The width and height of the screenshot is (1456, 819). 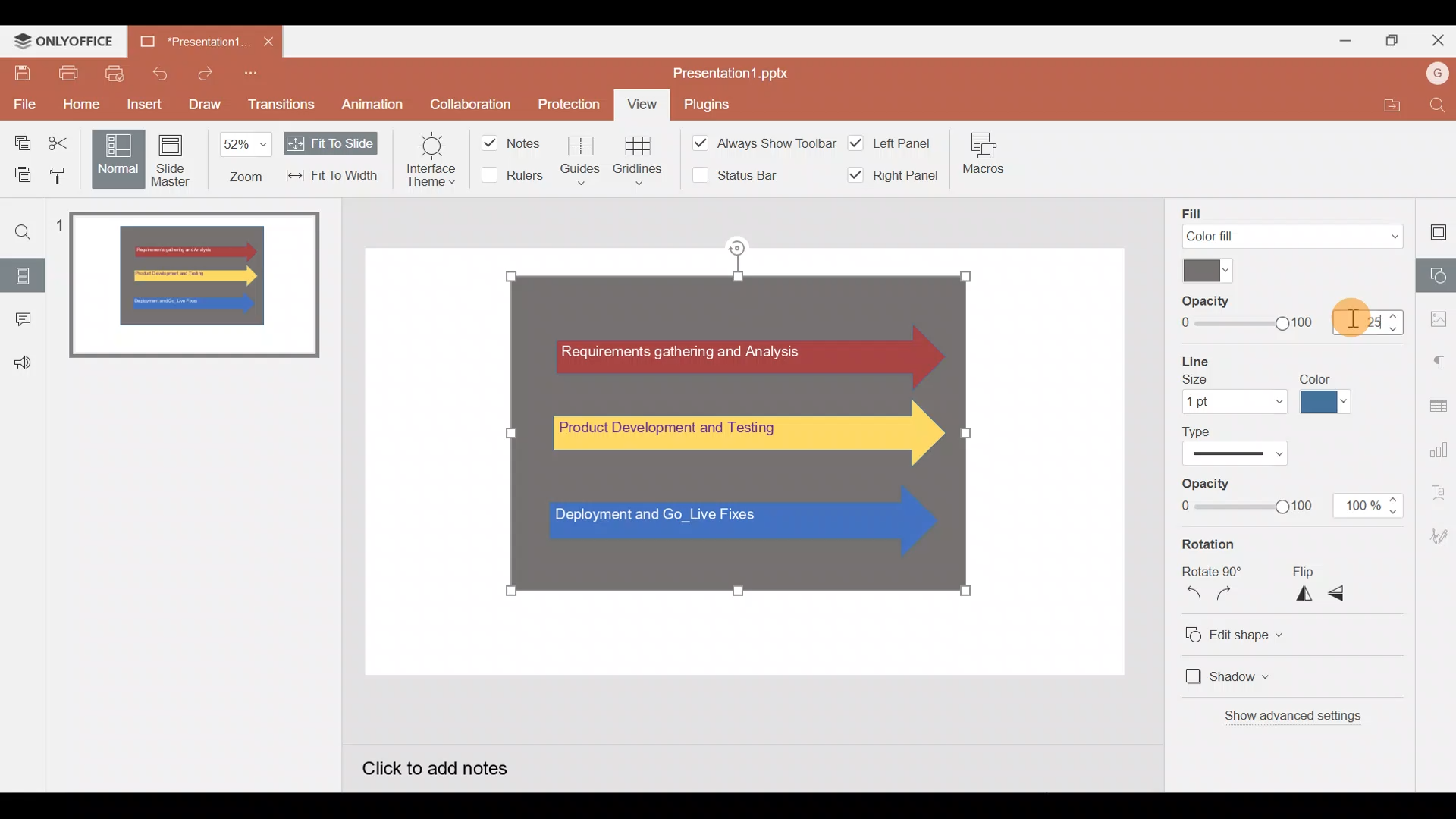 I want to click on Cut, so click(x=63, y=141).